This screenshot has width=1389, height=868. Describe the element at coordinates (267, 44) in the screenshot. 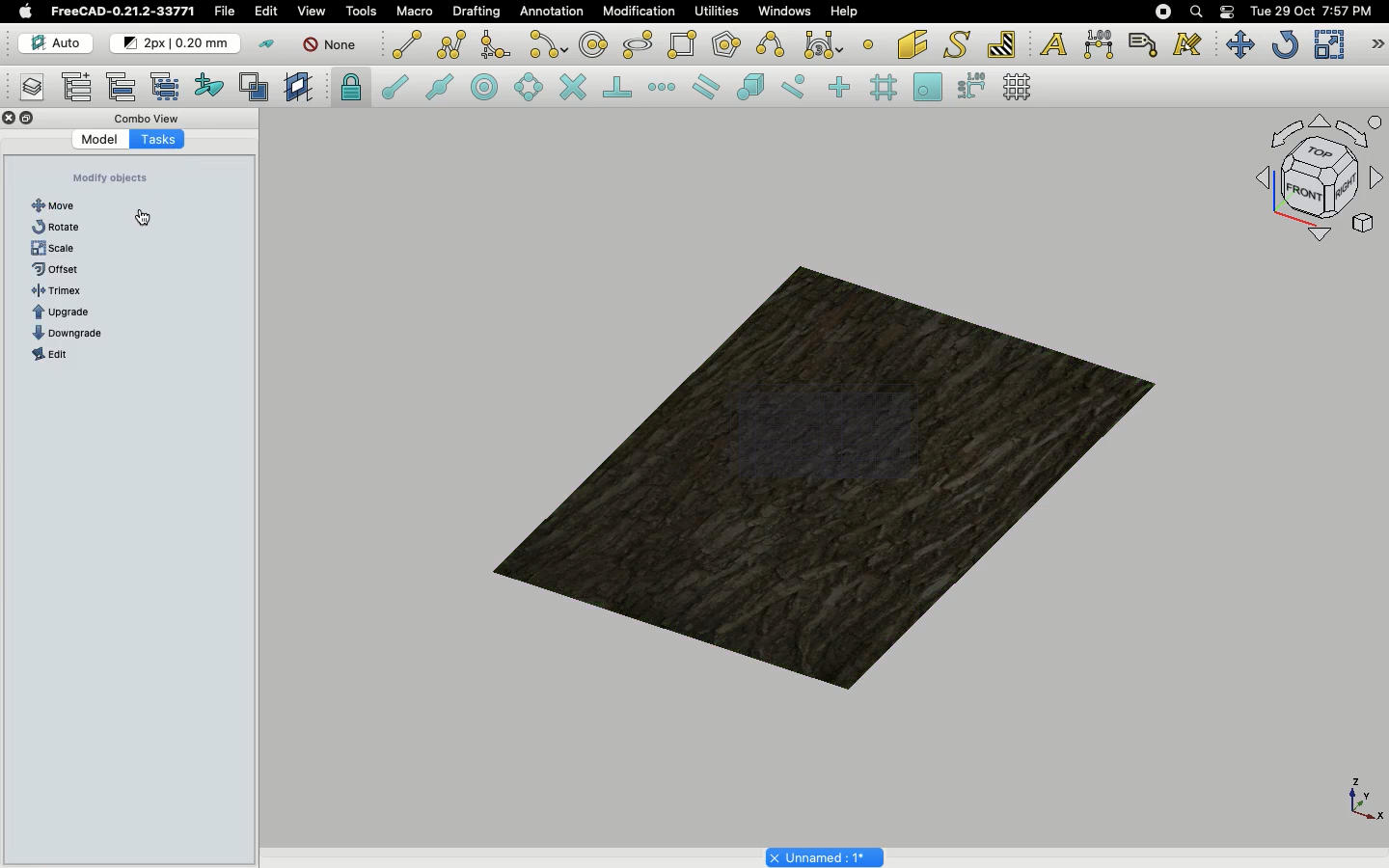

I see `Toggle construction mode` at that location.